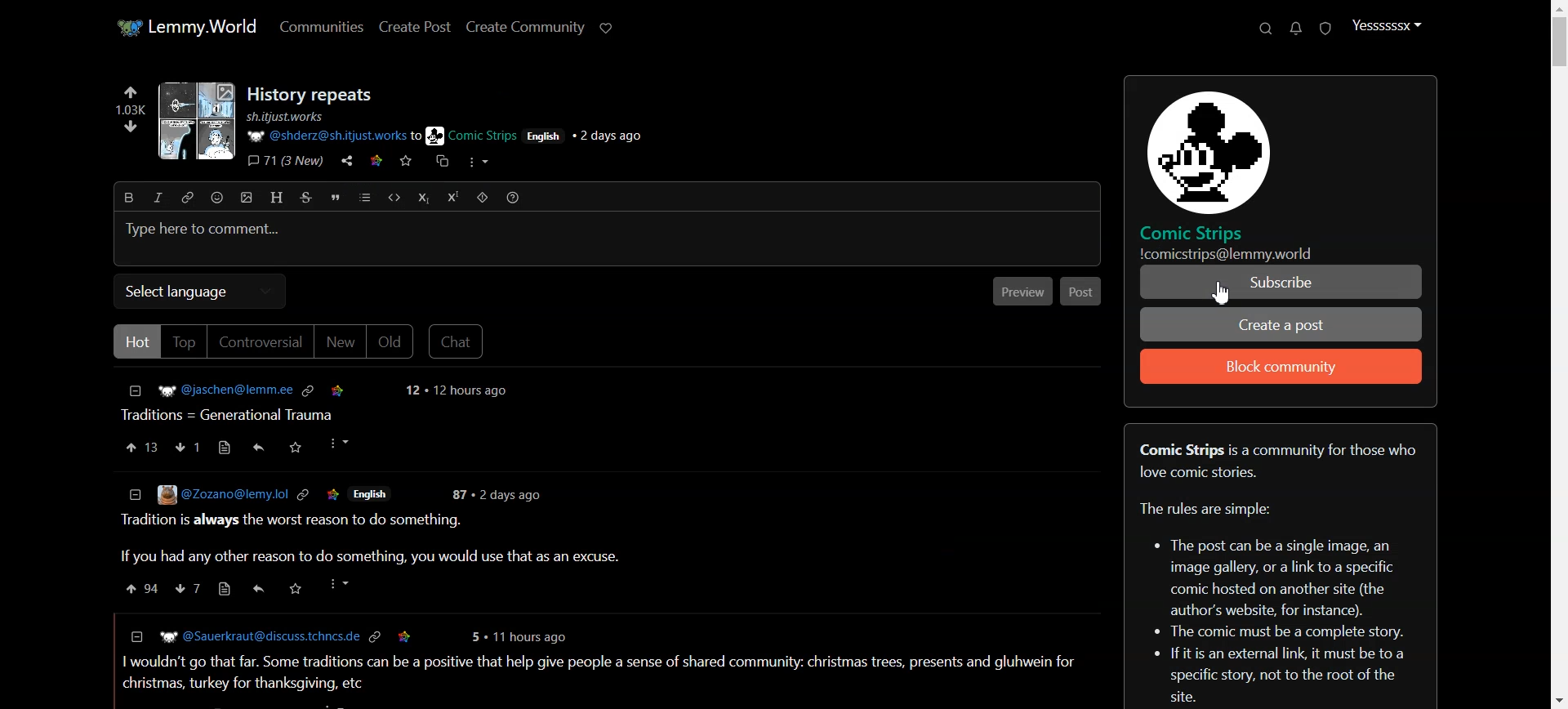 This screenshot has width=1568, height=709. I want to click on New, so click(340, 343).